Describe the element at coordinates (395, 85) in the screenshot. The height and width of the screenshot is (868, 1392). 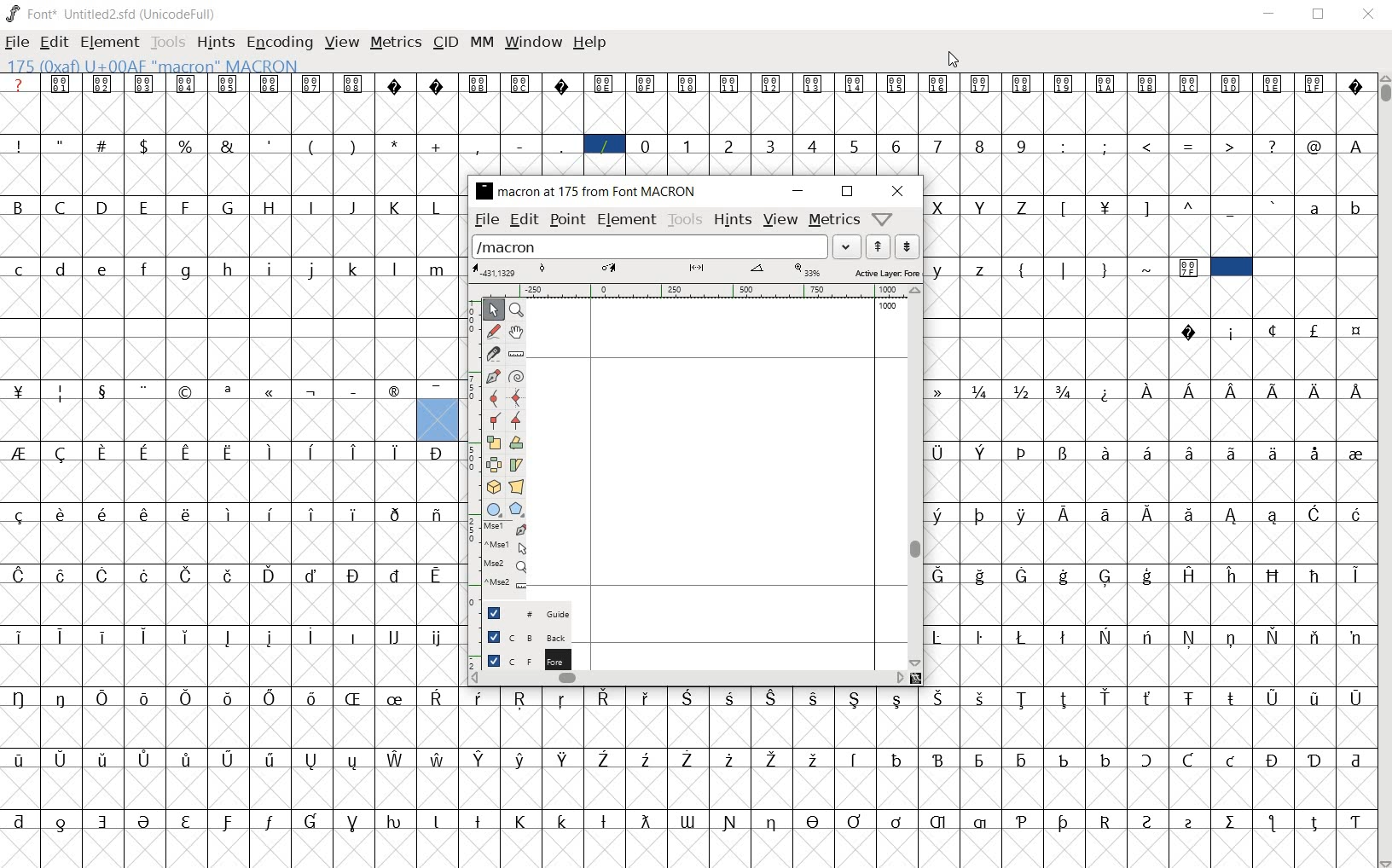
I see `Symbol` at that location.